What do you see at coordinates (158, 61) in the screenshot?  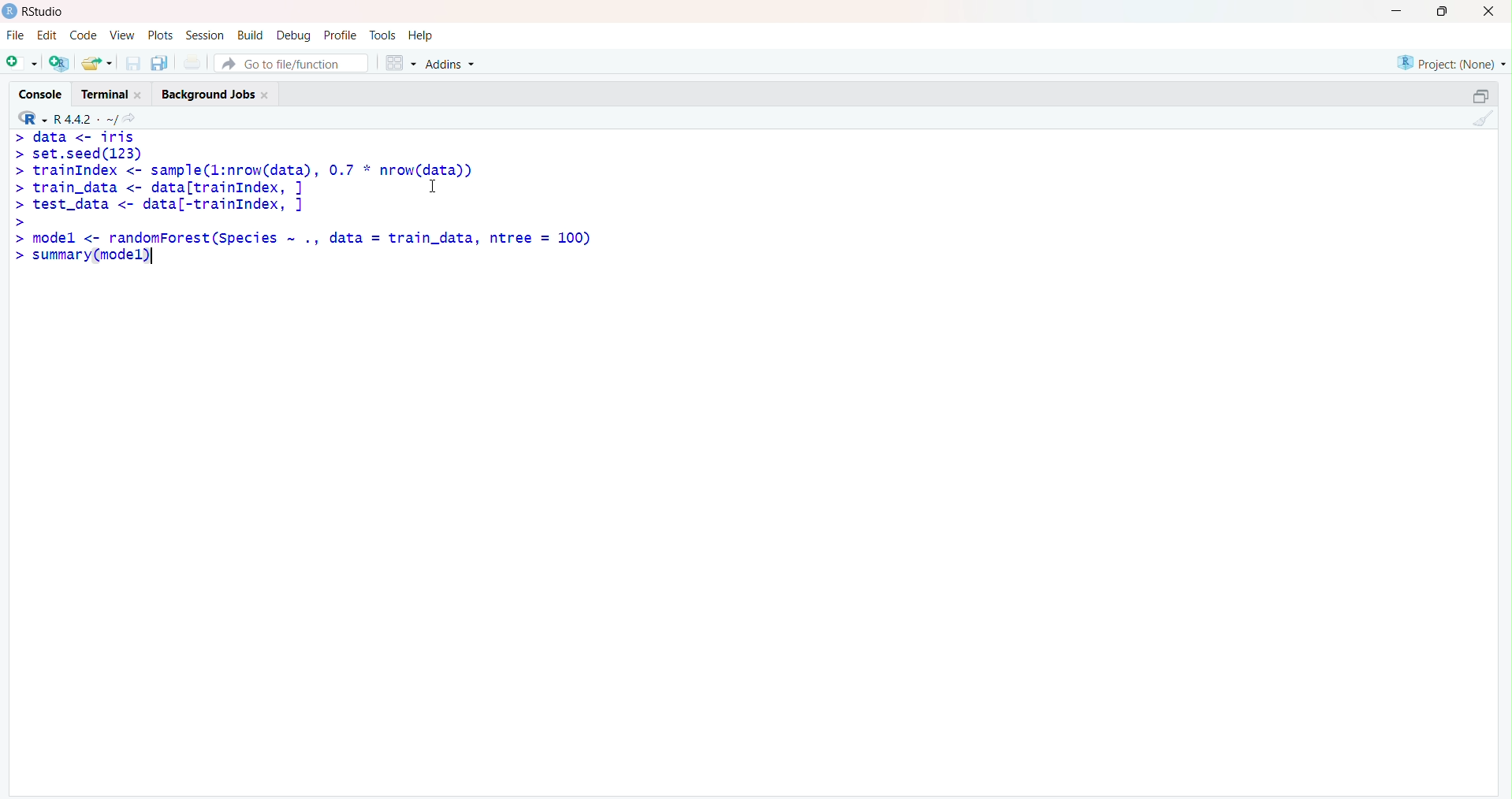 I see `Save all open documents (Ctrl + Alt + S)` at bounding box center [158, 61].